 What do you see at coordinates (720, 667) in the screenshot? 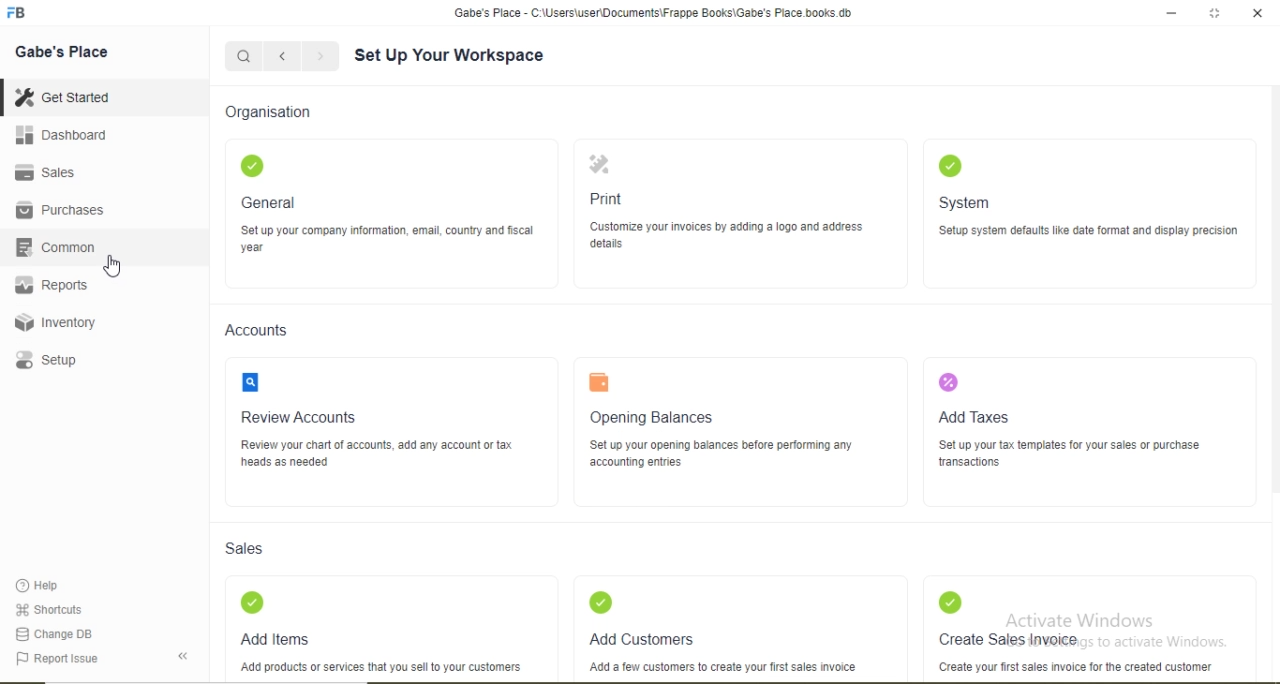
I see `Add a few customers 10 create your first sales invoice` at bounding box center [720, 667].